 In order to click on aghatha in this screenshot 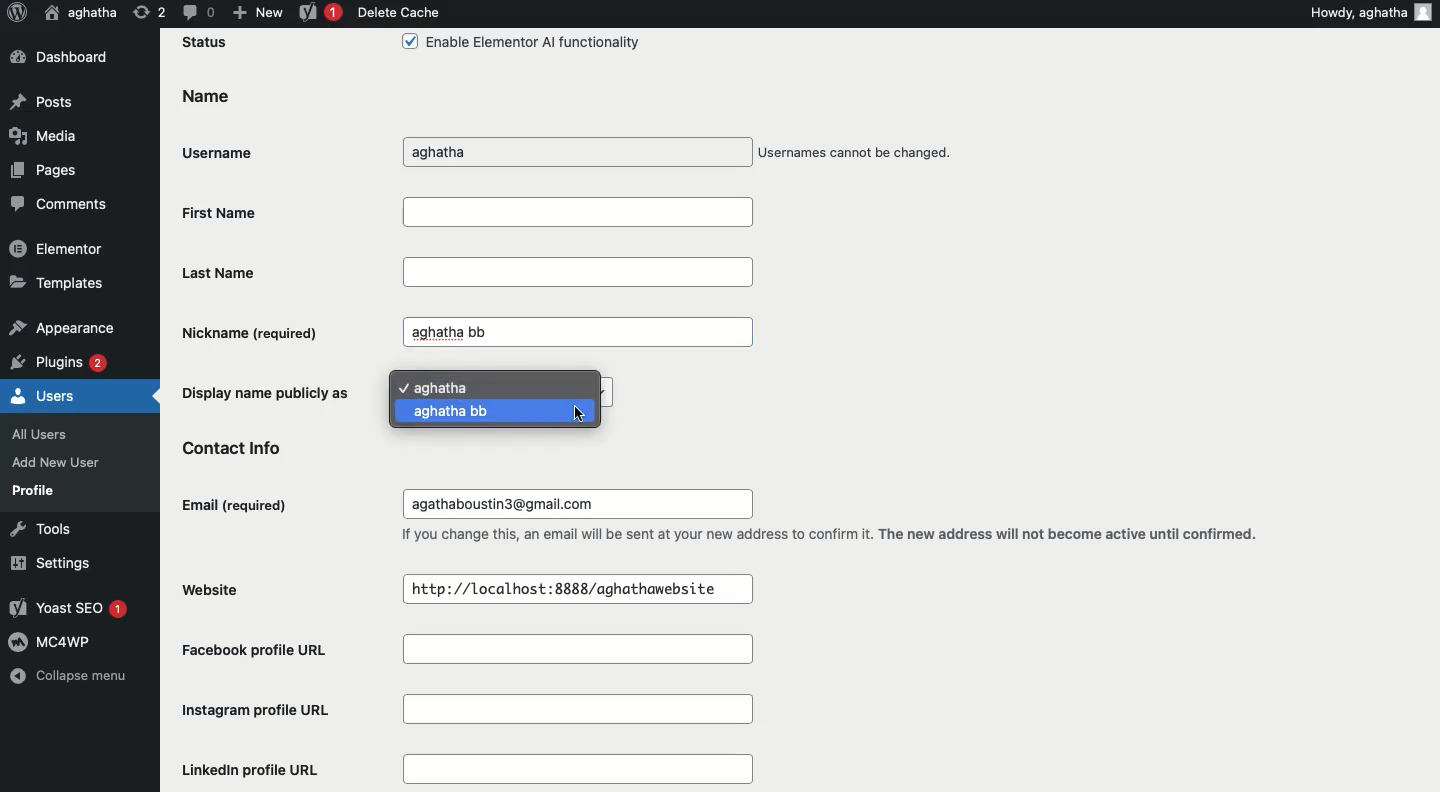, I will do `click(435, 387)`.